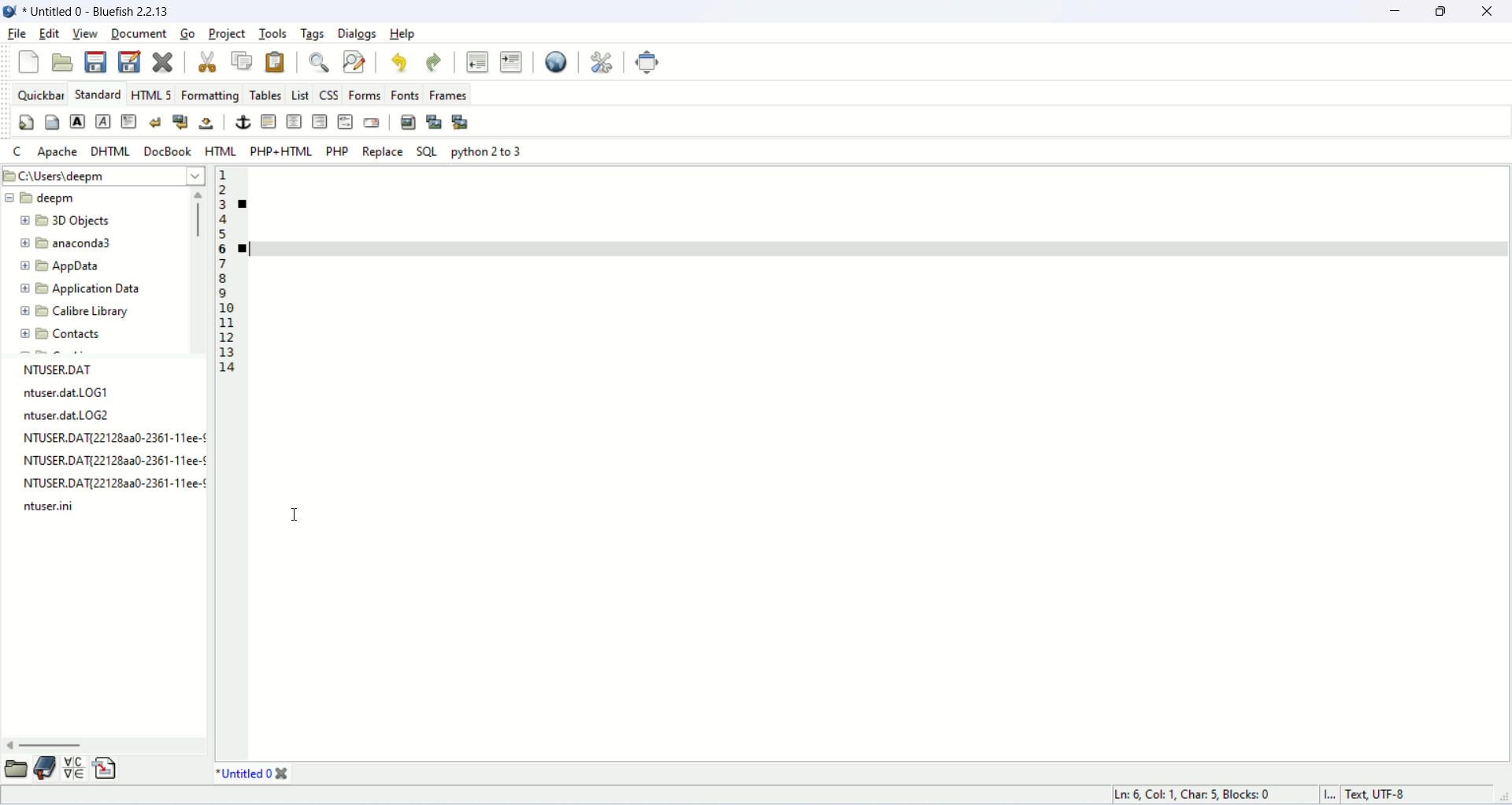 This screenshot has height=805, width=1512. I want to click on SQL, so click(430, 151).